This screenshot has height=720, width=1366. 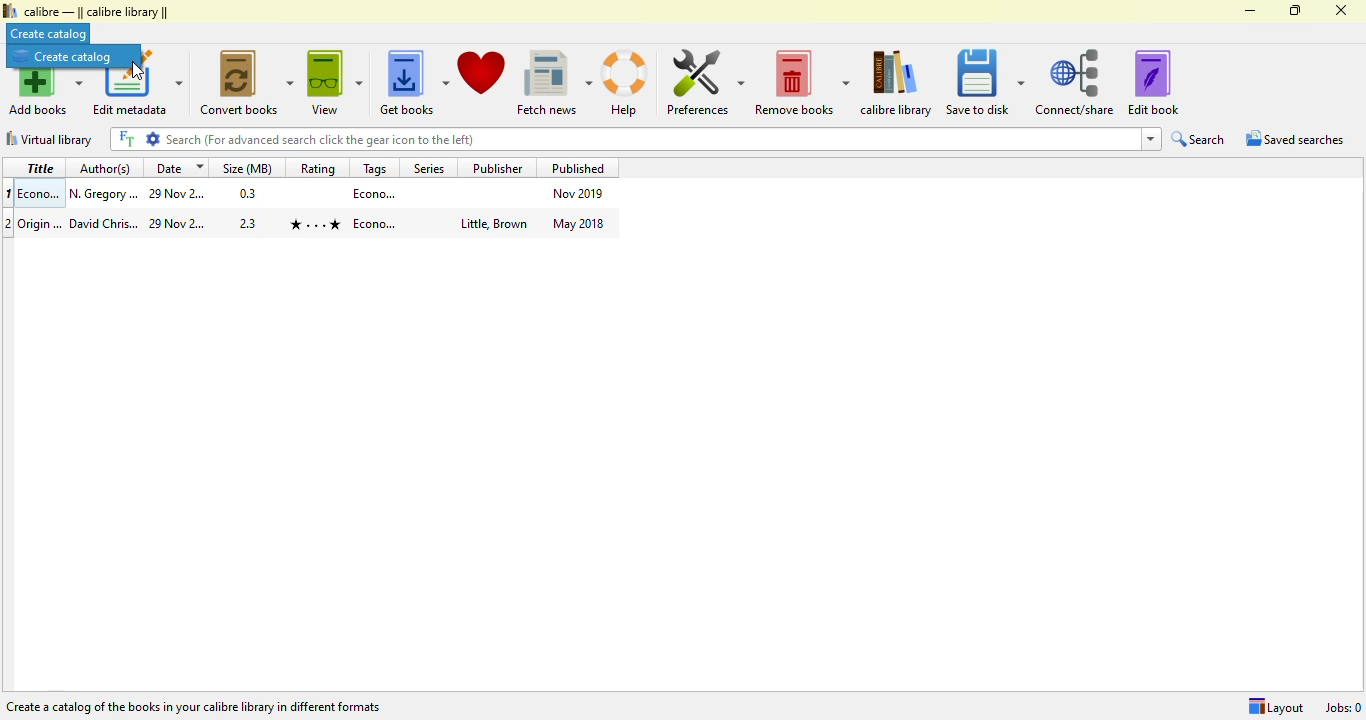 I want to click on rating, so click(x=318, y=168).